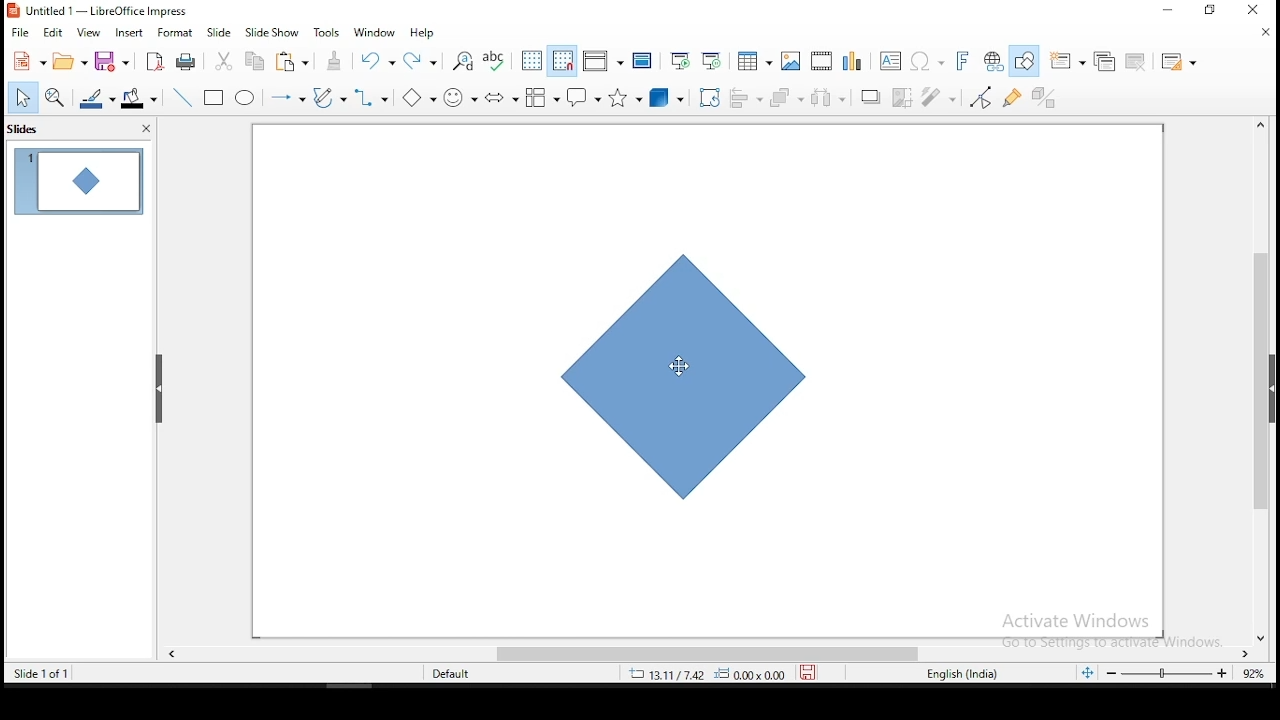 This screenshot has height=720, width=1280. What do you see at coordinates (1209, 10) in the screenshot?
I see `restore` at bounding box center [1209, 10].